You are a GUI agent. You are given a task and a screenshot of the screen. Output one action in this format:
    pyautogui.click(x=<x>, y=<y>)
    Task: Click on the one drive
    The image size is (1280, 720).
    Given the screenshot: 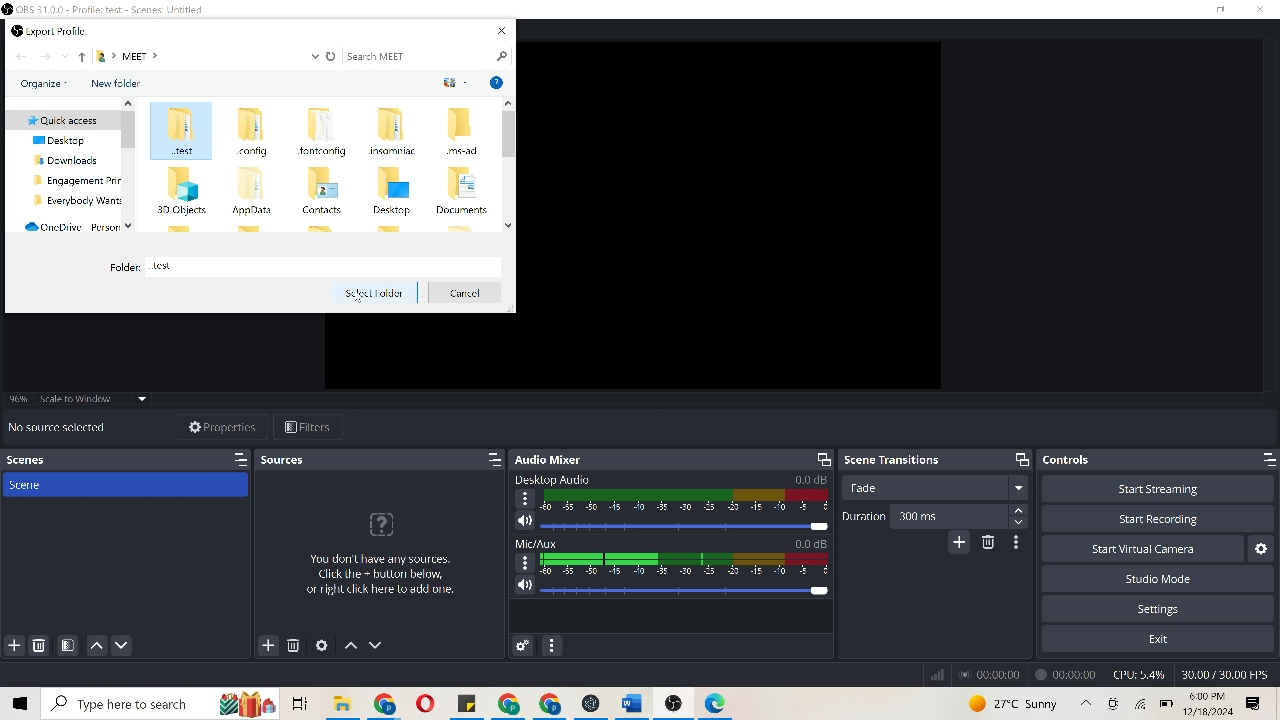 What is the action you would take?
    pyautogui.click(x=66, y=227)
    